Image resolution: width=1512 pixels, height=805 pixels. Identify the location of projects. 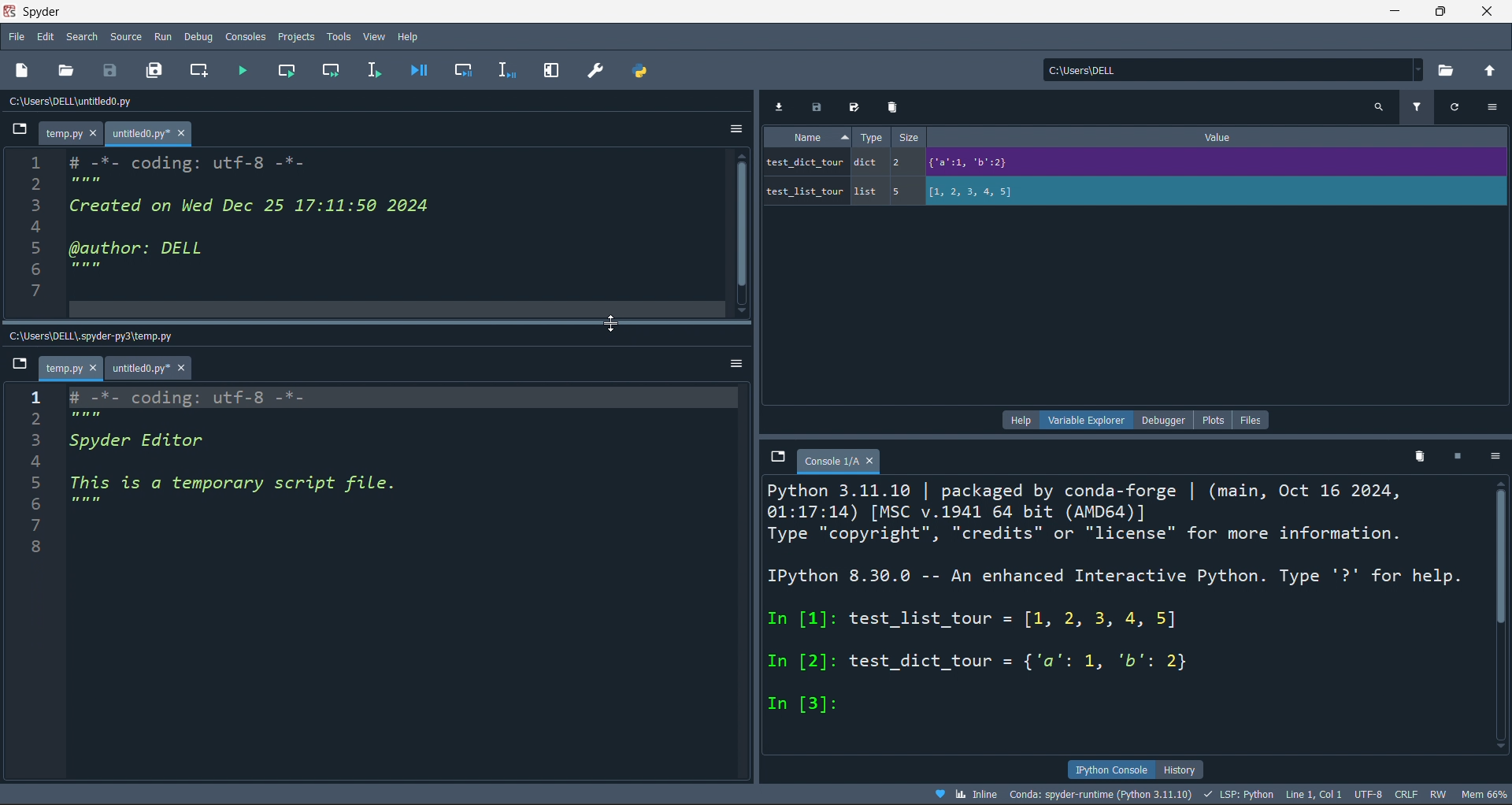
(293, 38).